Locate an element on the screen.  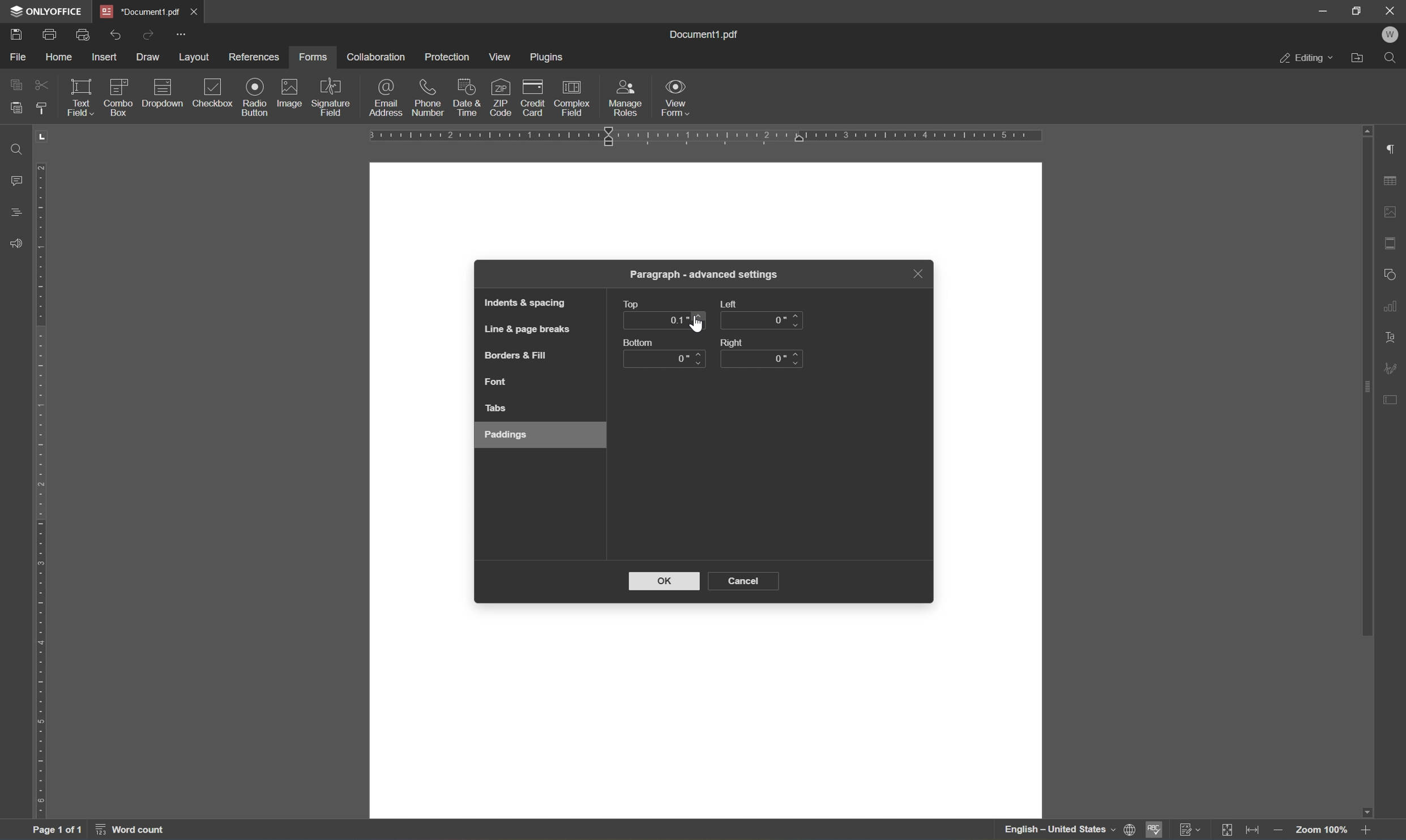
Open file location is located at coordinates (1360, 59).